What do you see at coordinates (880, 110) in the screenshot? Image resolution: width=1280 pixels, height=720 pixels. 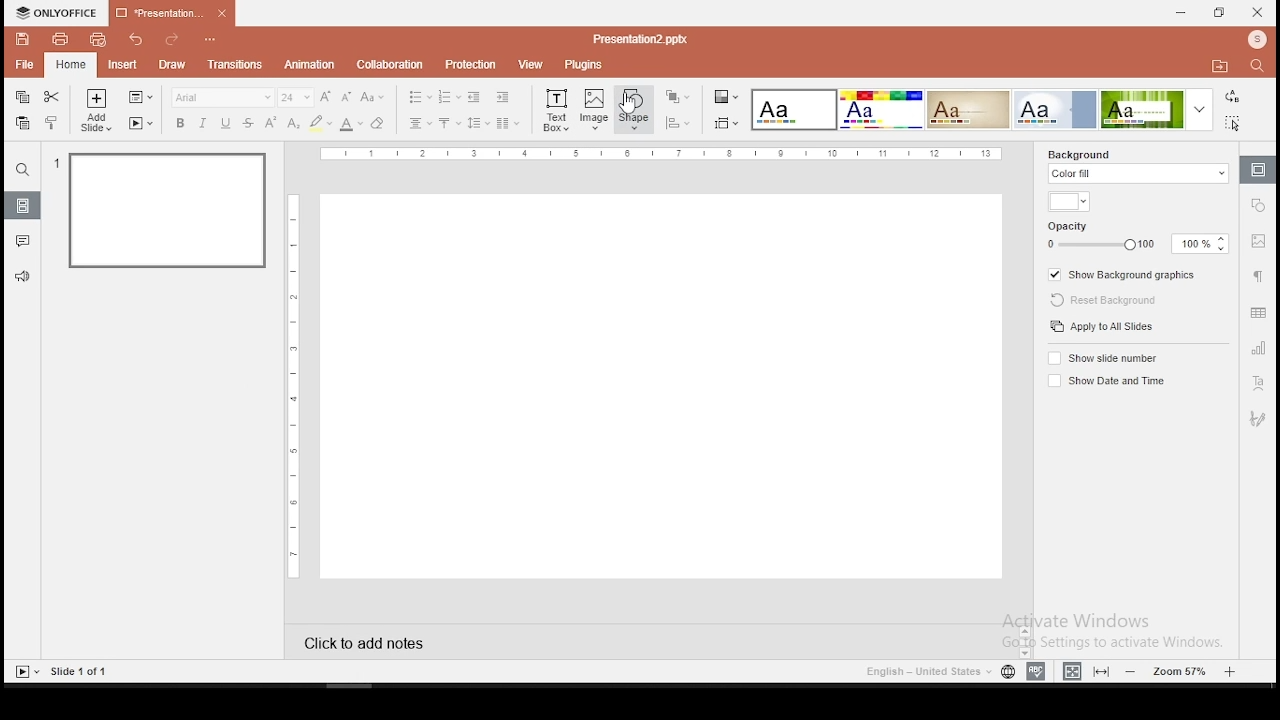 I see `` at bounding box center [880, 110].